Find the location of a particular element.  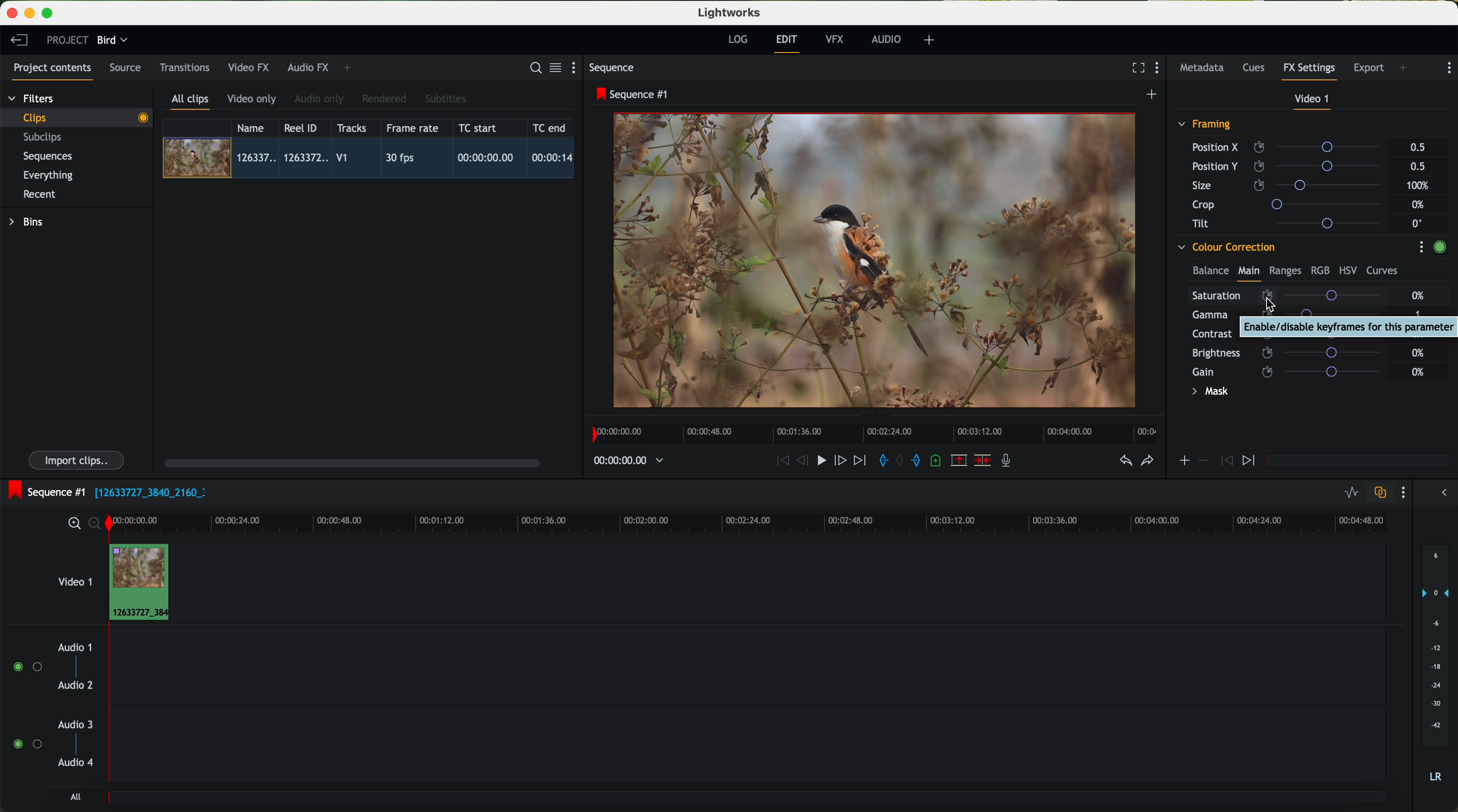

everything is located at coordinates (49, 175).